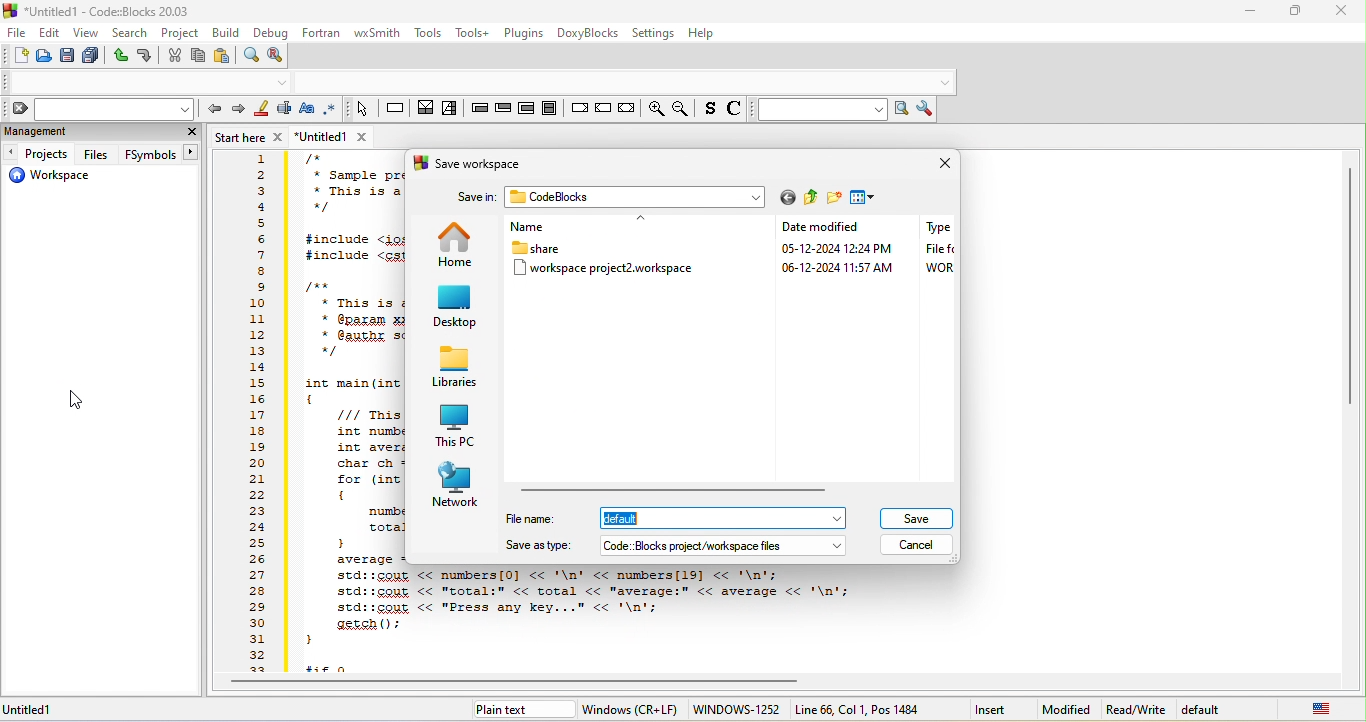  What do you see at coordinates (1069, 710) in the screenshot?
I see `modified` at bounding box center [1069, 710].